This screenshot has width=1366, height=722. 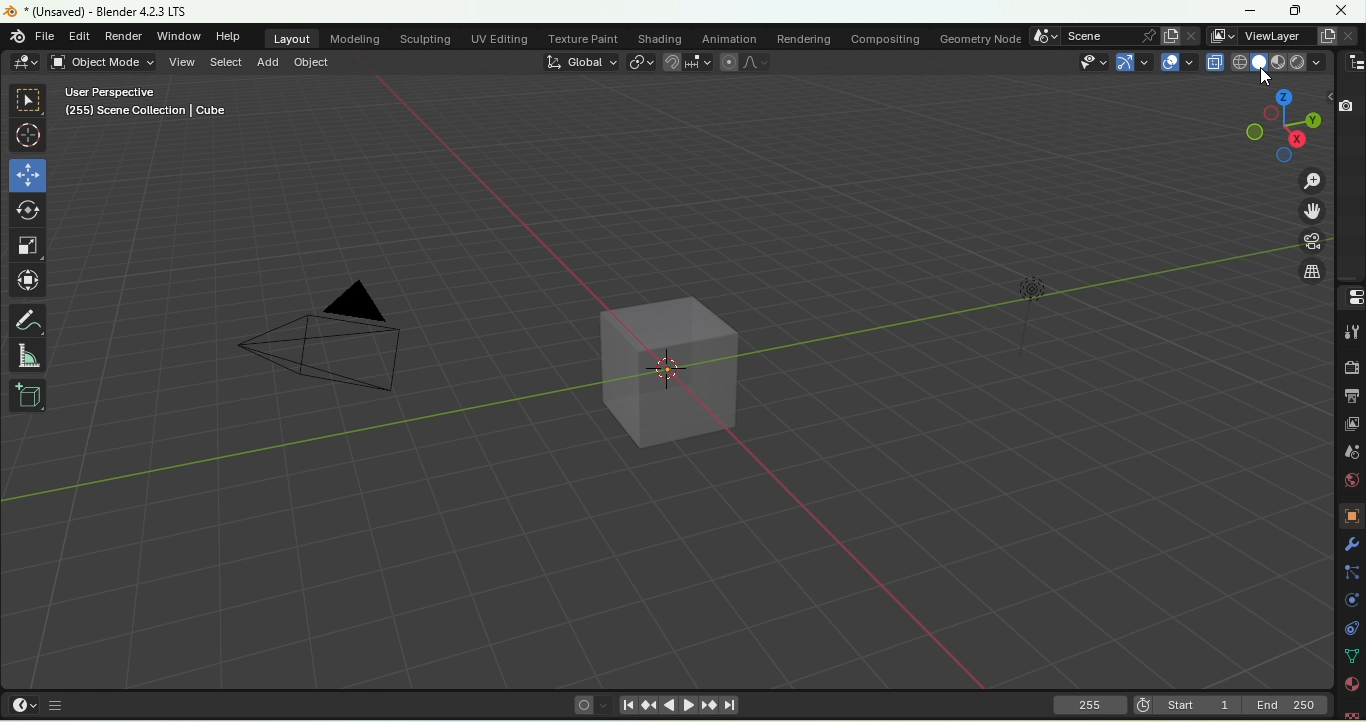 What do you see at coordinates (727, 62) in the screenshot?
I see `Proportional editing objects` at bounding box center [727, 62].